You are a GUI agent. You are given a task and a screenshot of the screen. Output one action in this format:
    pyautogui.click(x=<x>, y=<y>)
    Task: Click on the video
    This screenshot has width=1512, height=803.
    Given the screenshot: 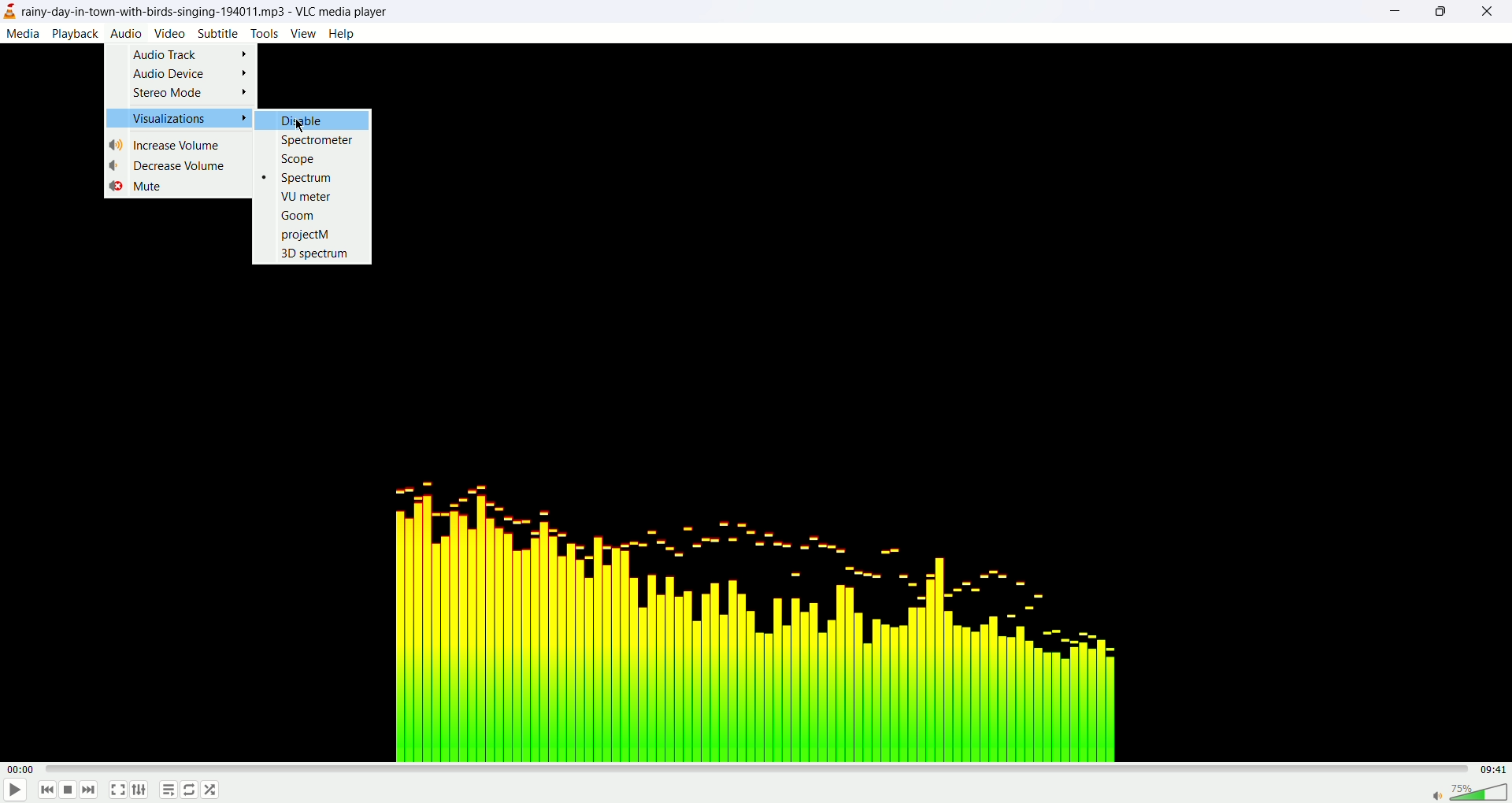 What is the action you would take?
    pyautogui.click(x=170, y=32)
    